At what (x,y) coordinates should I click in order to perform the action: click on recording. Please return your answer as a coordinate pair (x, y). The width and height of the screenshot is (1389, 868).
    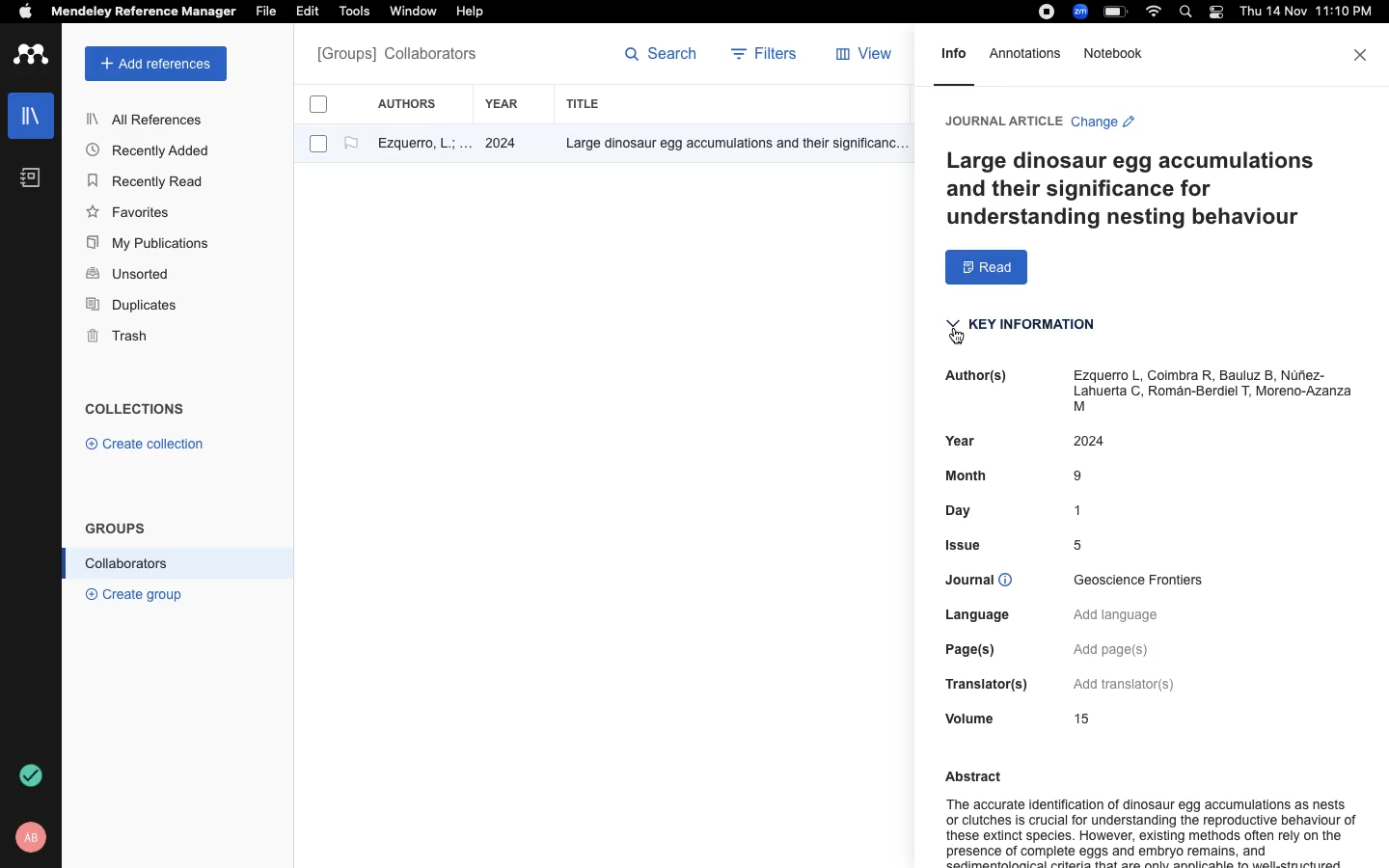
    Looking at the image, I should click on (1044, 13).